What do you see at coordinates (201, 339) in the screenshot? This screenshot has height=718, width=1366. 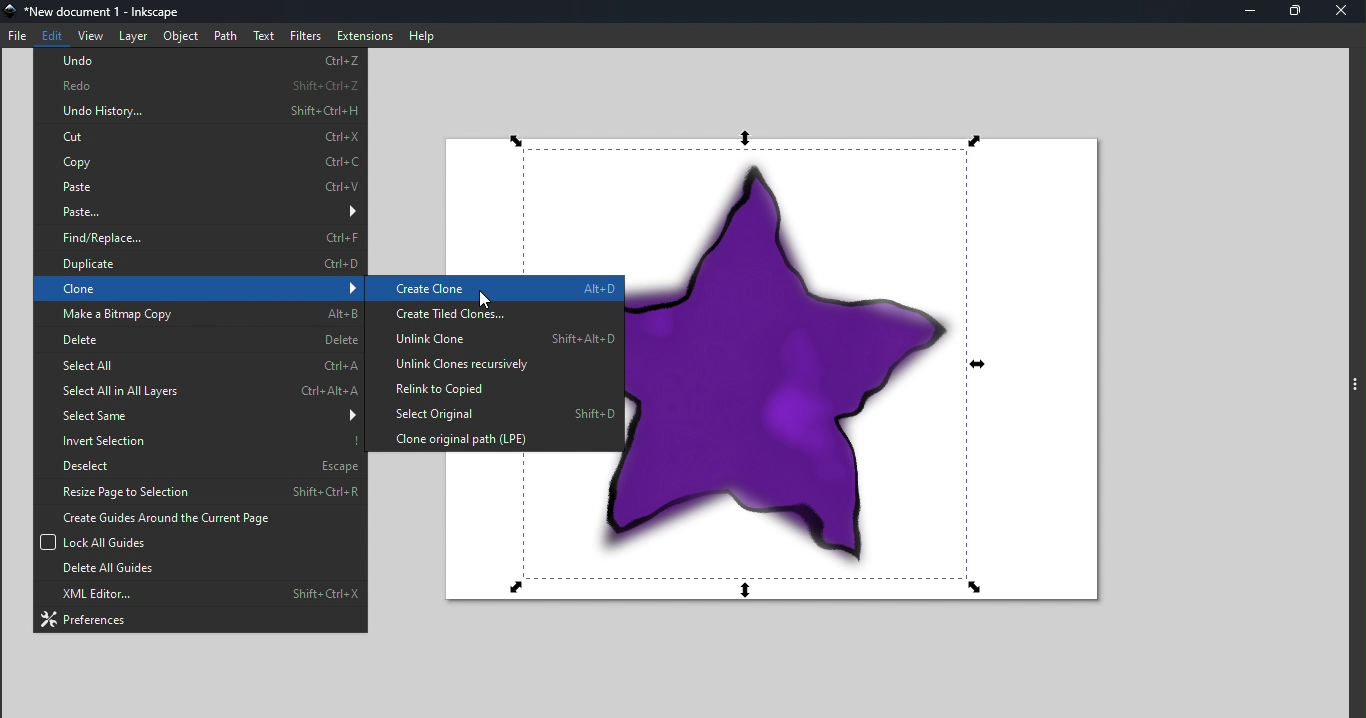 I see `delete` at bounding box center [201, 339].